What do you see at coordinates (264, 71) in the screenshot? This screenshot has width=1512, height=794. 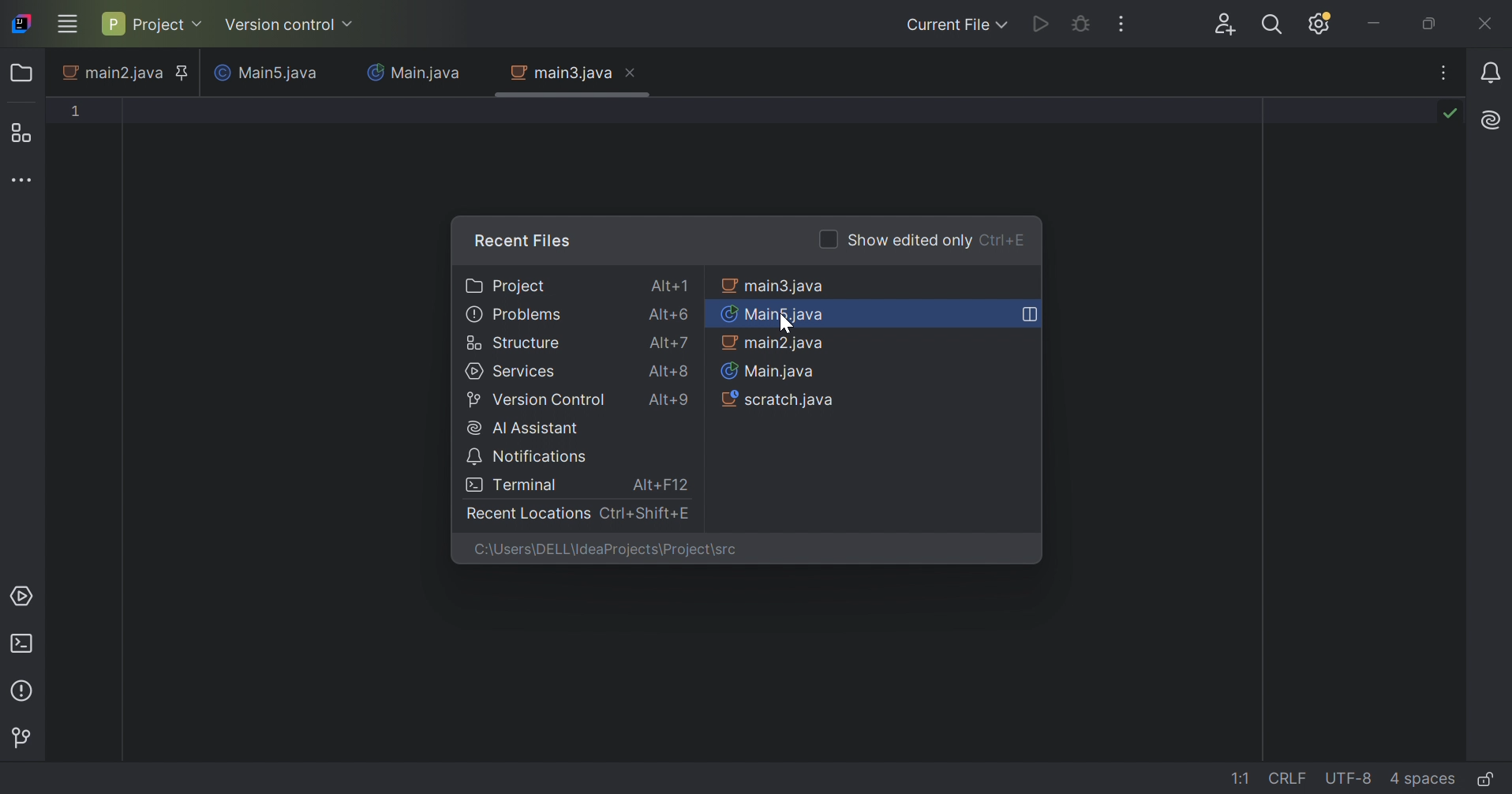 I see `Main5.java` at bounding box center [264, 71].